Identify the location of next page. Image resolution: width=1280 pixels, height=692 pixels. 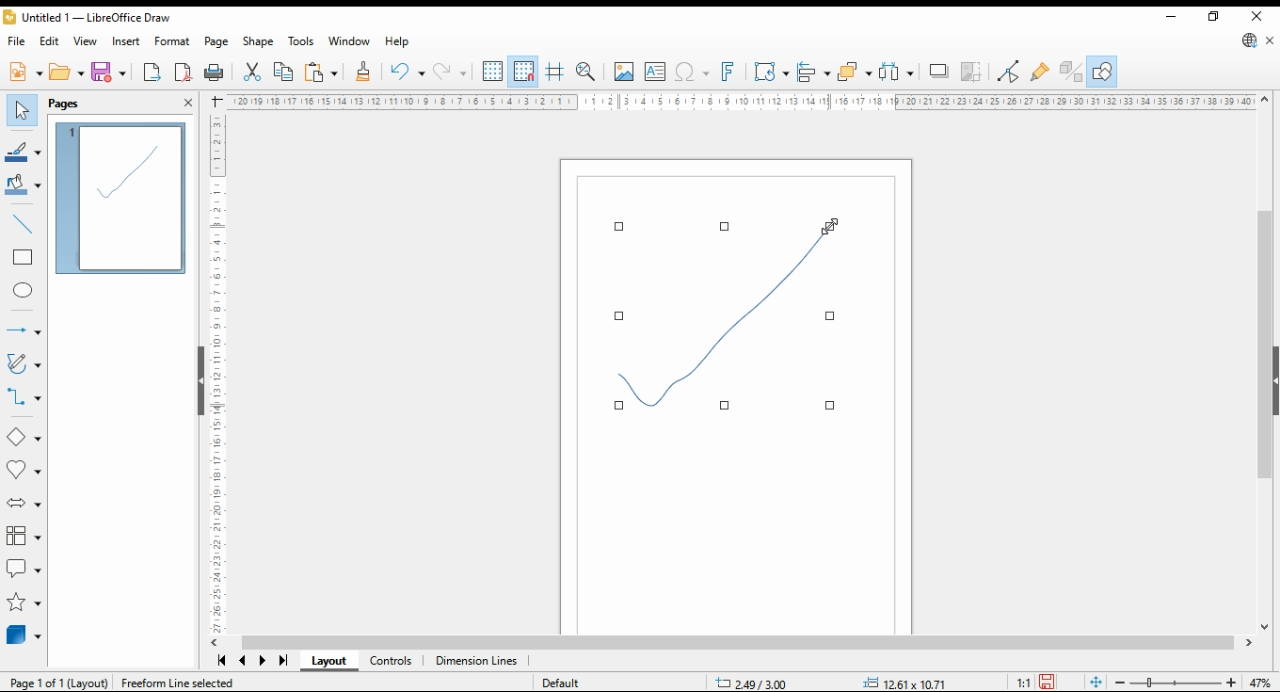
(262, 661).